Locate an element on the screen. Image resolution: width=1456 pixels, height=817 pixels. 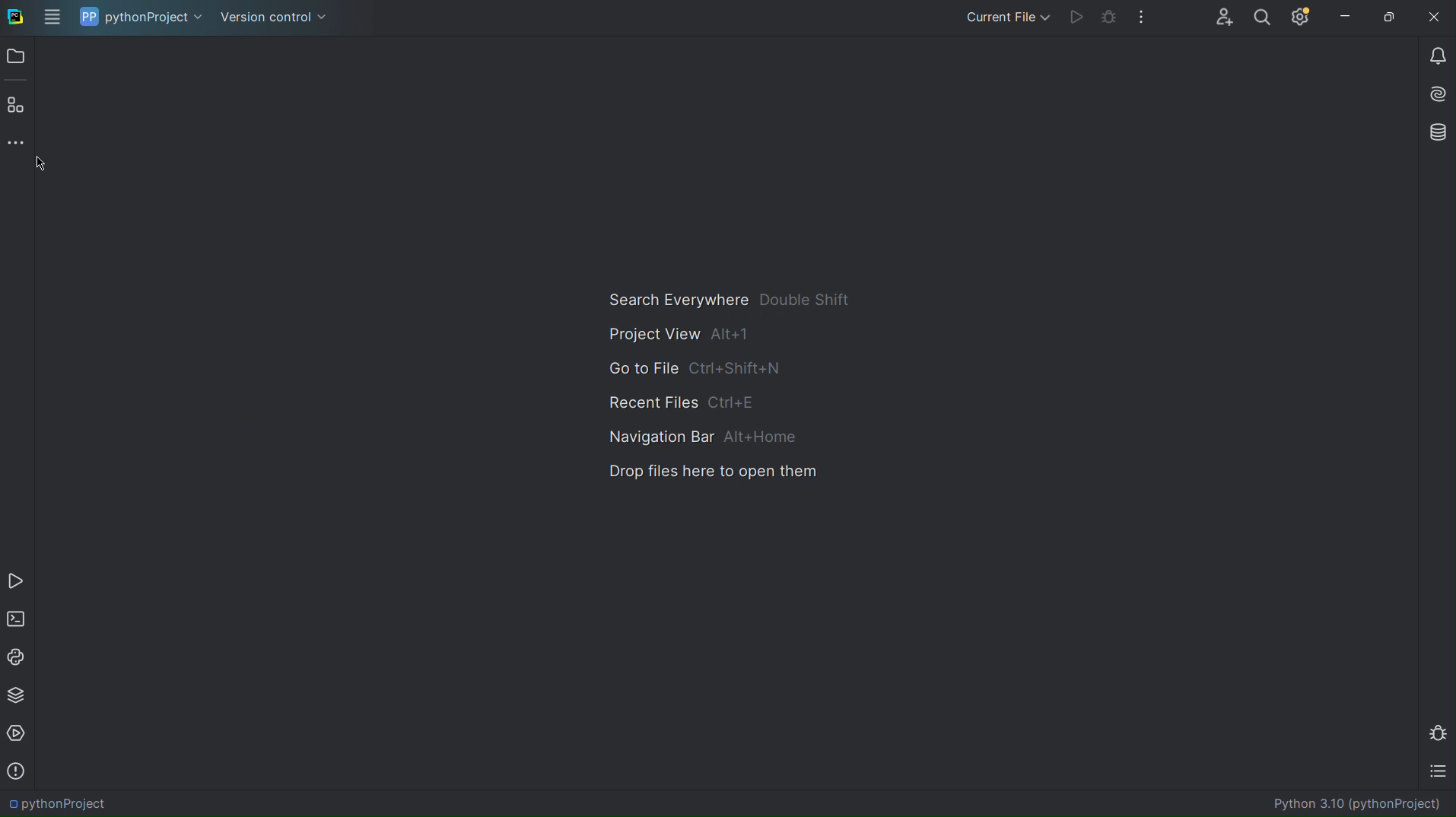
Version control is located at coordinates (276, 16).